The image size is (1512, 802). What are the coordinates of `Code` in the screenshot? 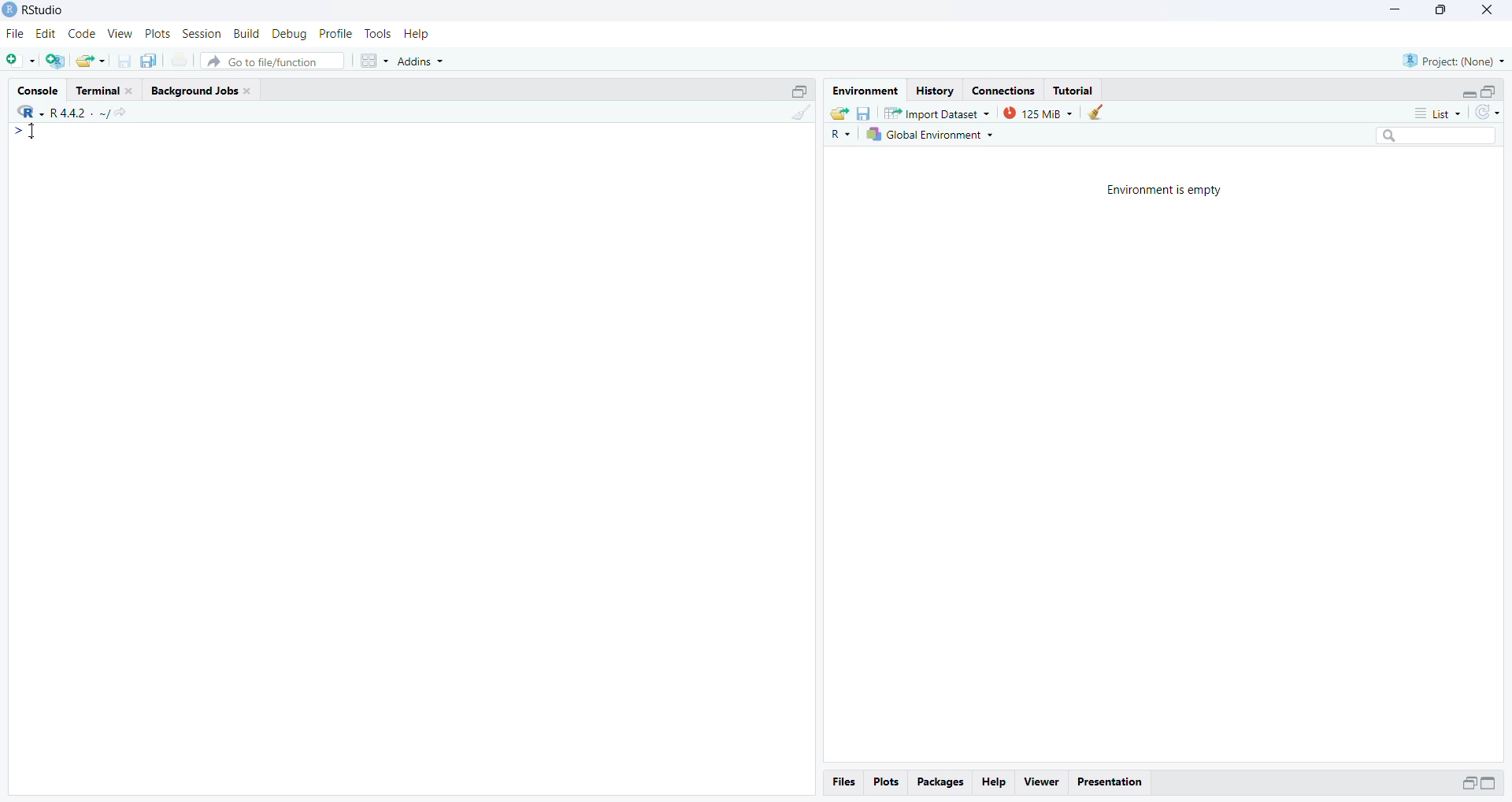 It's located at (81, 34).